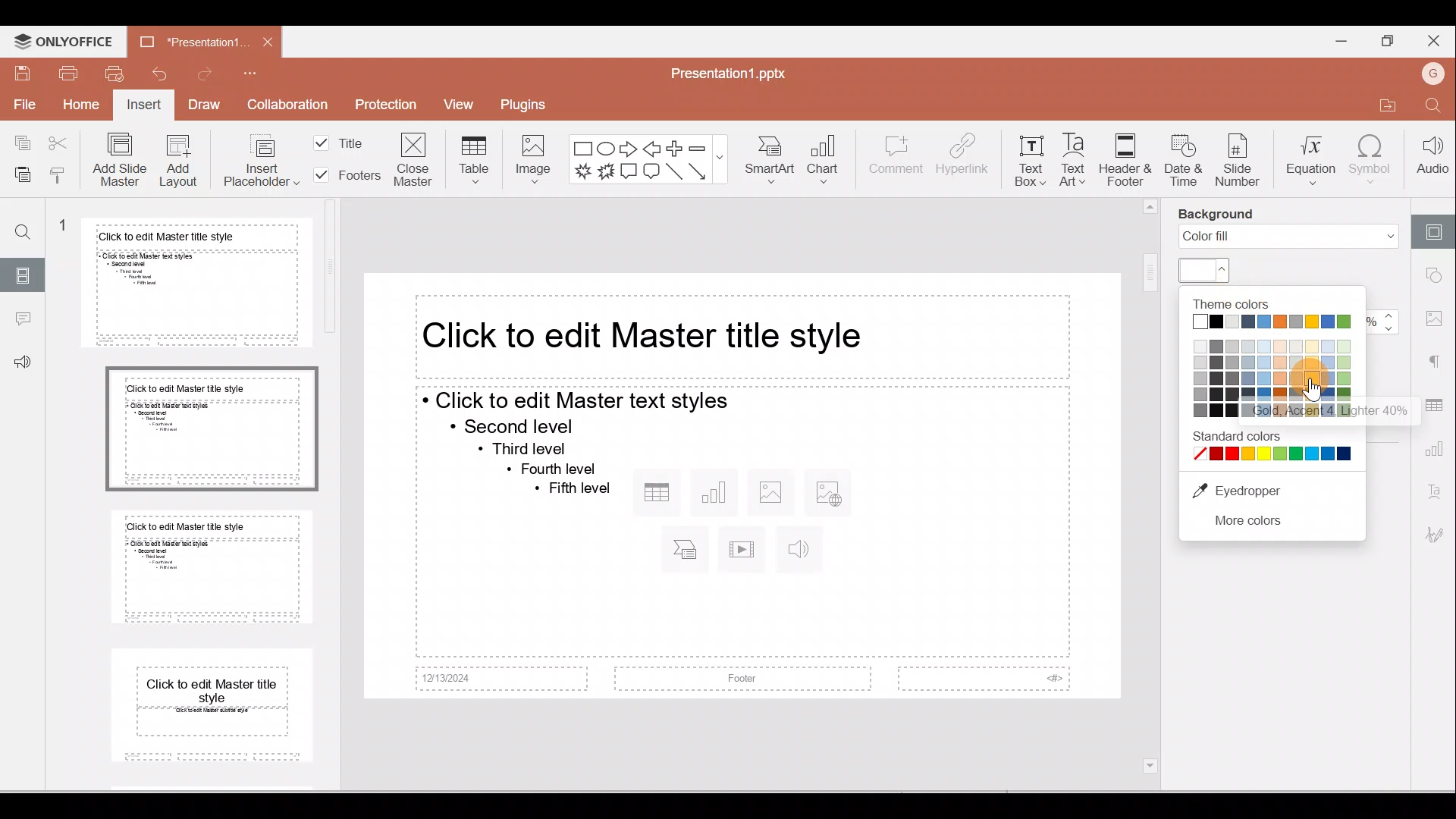 This screenshot has height=819, width=1456. Describe the element at coordinates (1384, 41) in the screenshot. I see `Maximise` at that location.